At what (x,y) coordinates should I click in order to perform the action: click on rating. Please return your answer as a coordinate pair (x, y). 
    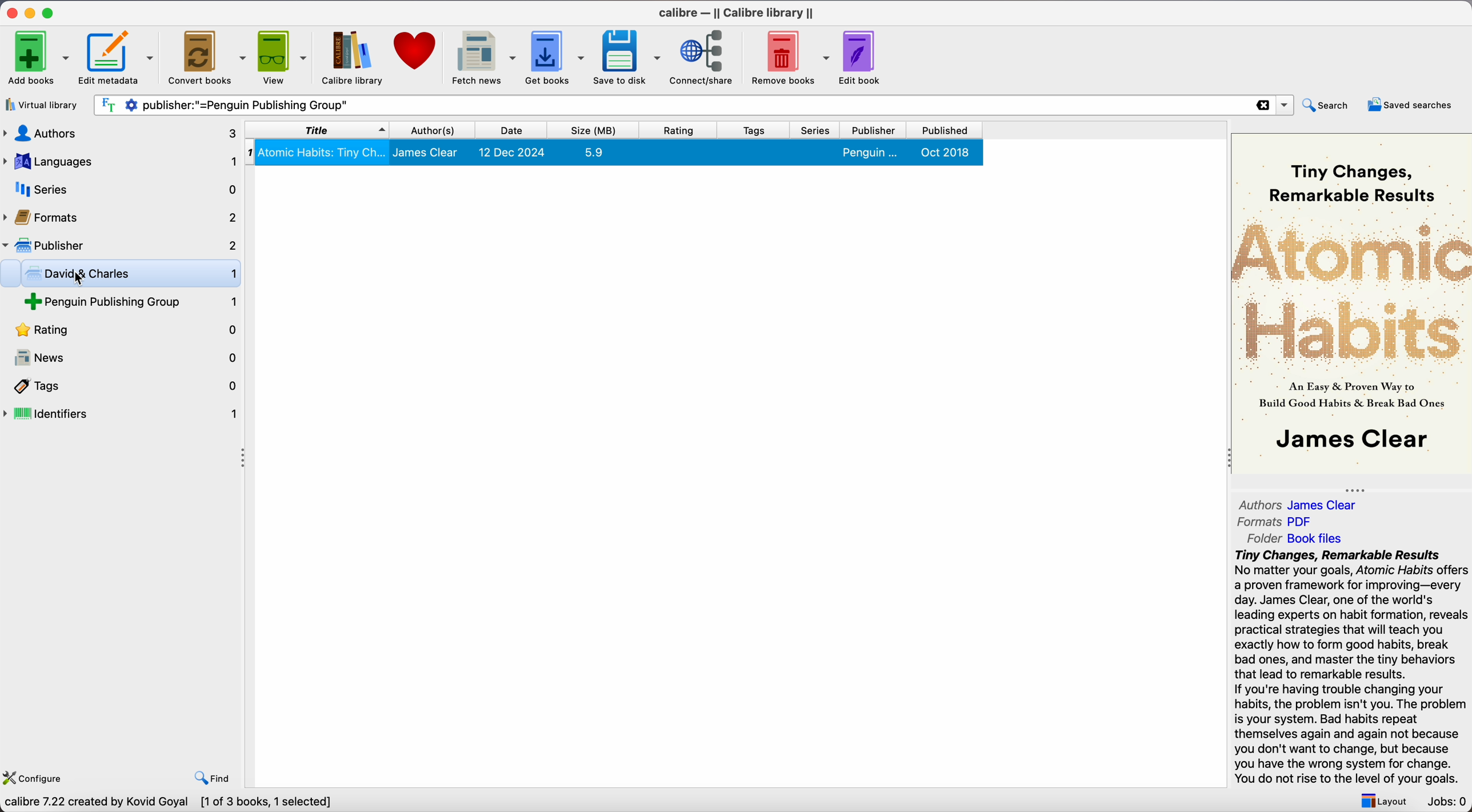
    Looking at the image, I should click on (122, 331).